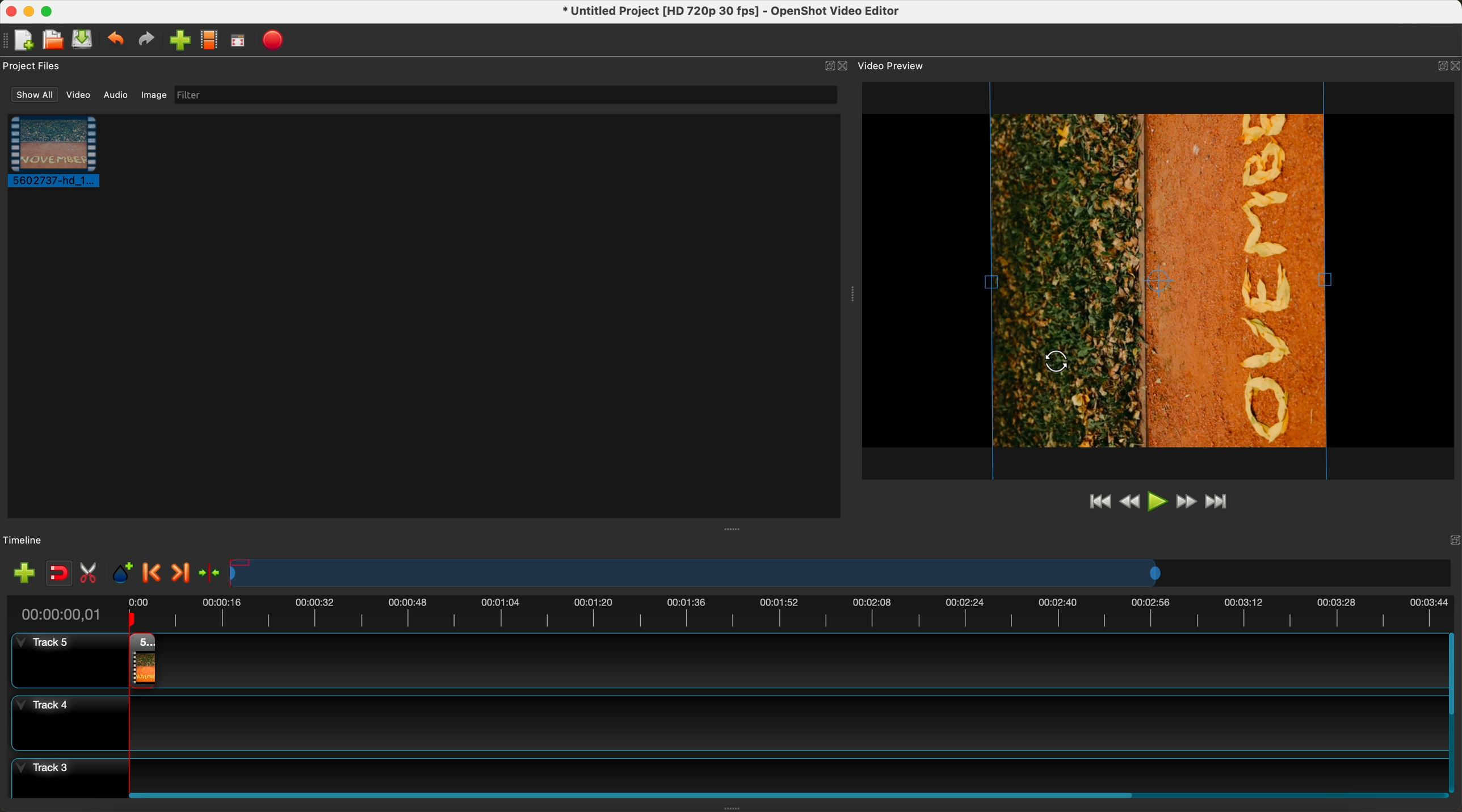  I want to click on show all, so click(34, 94).